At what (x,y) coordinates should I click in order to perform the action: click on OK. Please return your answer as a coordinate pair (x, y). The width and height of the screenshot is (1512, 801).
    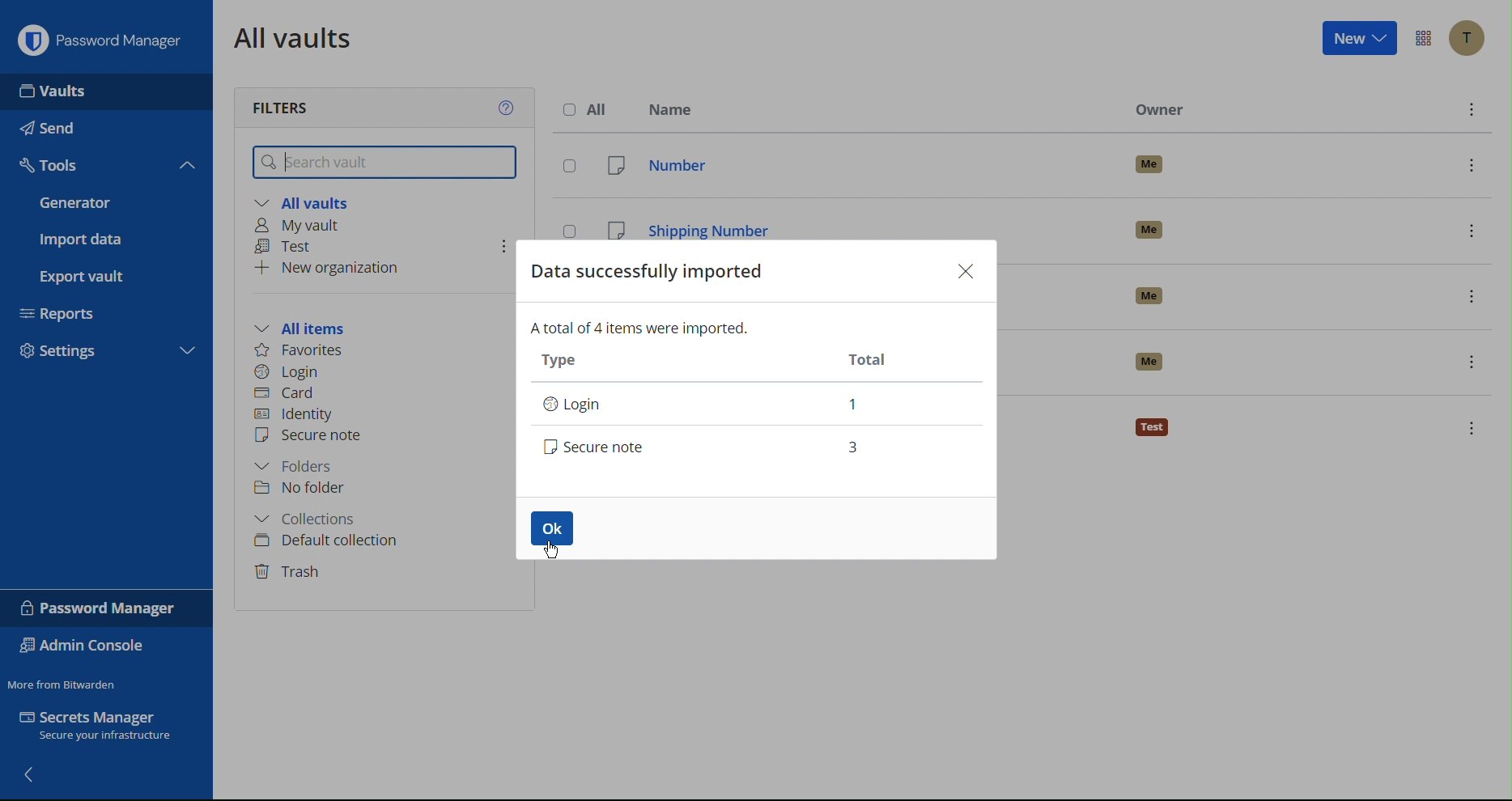
    Looking at the image, I should click on (551, 528).